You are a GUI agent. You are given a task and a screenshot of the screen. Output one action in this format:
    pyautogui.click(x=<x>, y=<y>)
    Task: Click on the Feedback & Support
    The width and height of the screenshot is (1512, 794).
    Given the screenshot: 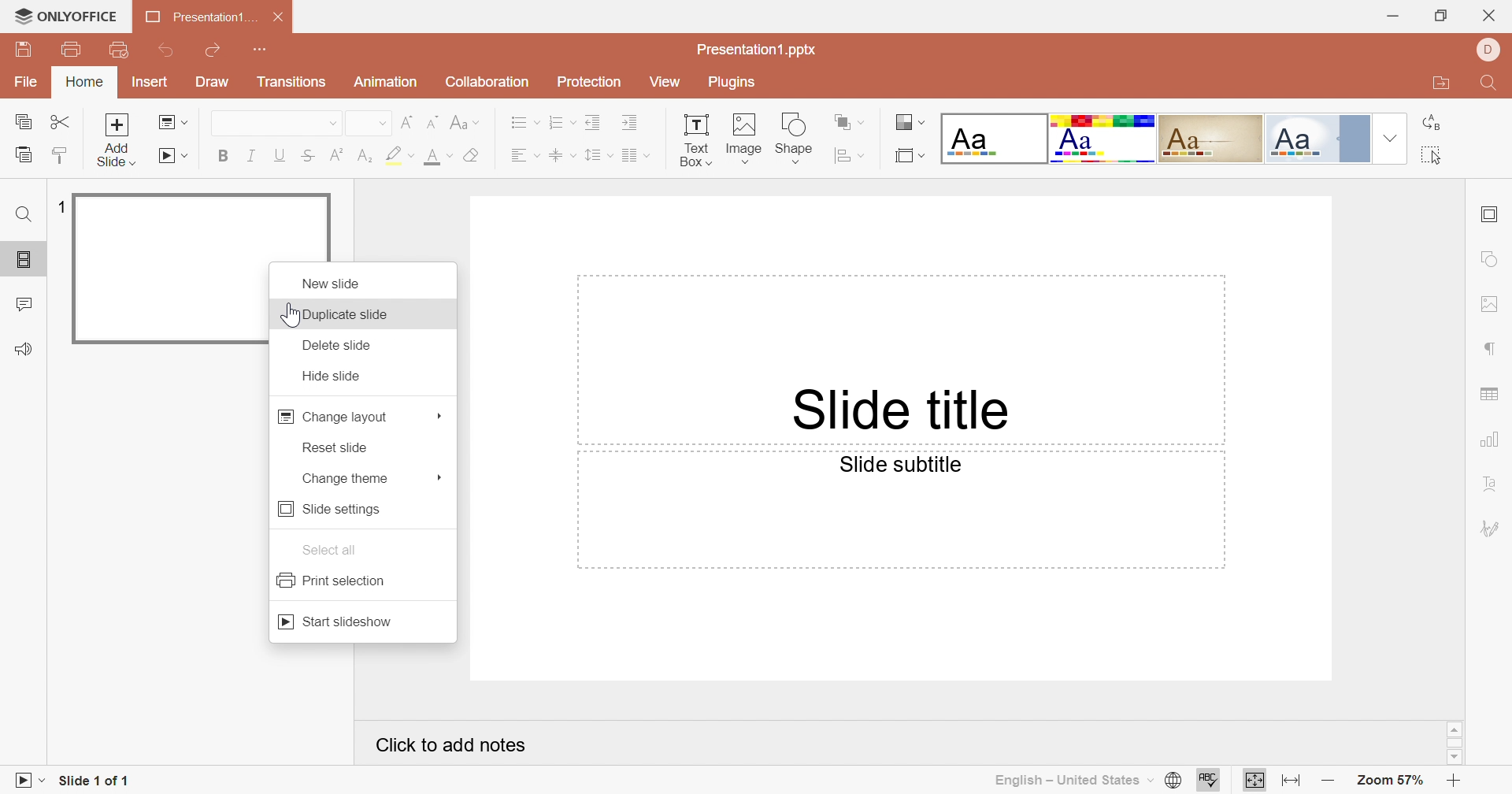 What is the action you would take?
    pyautogui.click(x=24, y=350)
    